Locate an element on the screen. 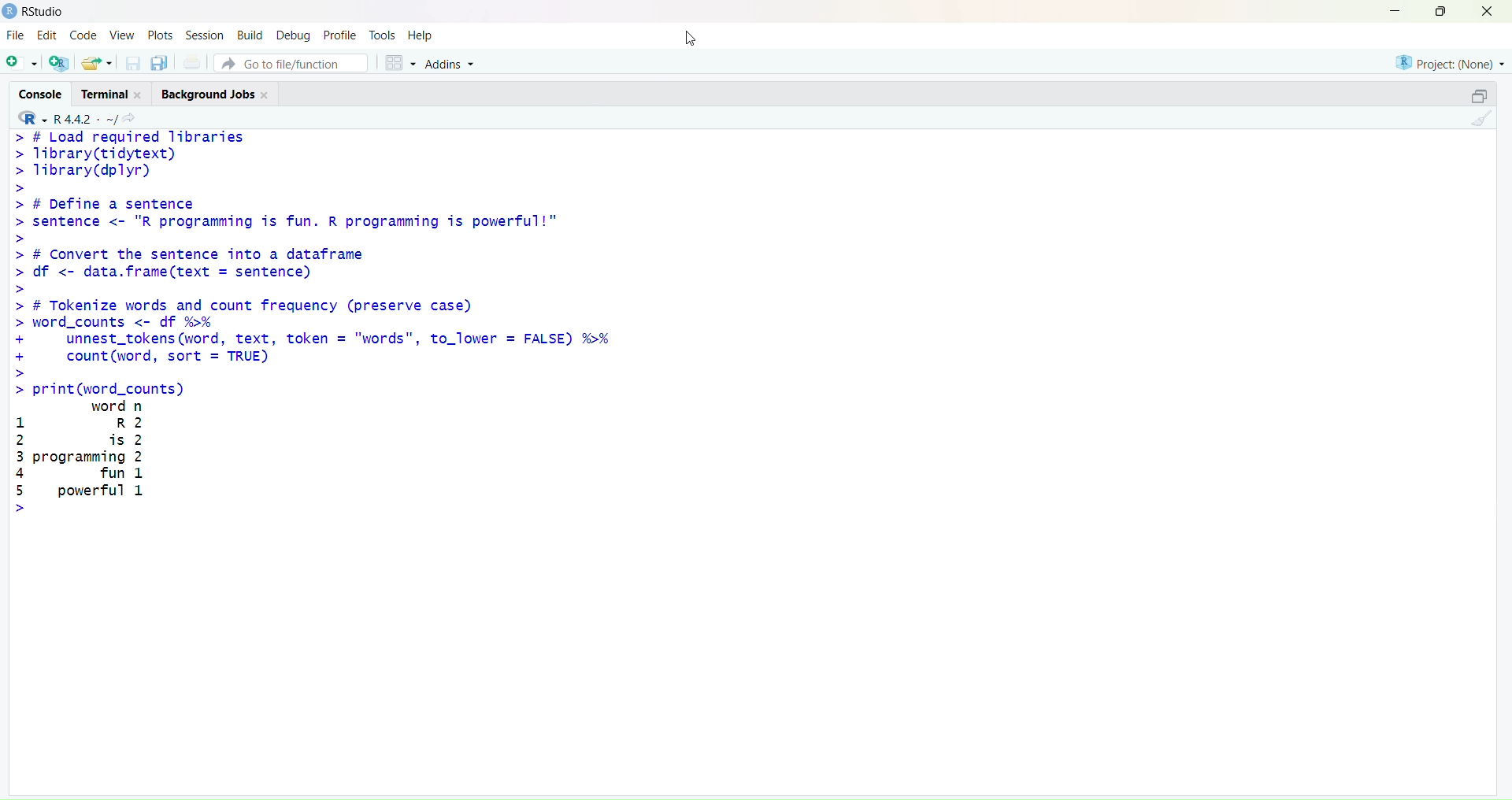 This screenshot has width=1512, height=800. print current file is located at coordinates (192, 64).